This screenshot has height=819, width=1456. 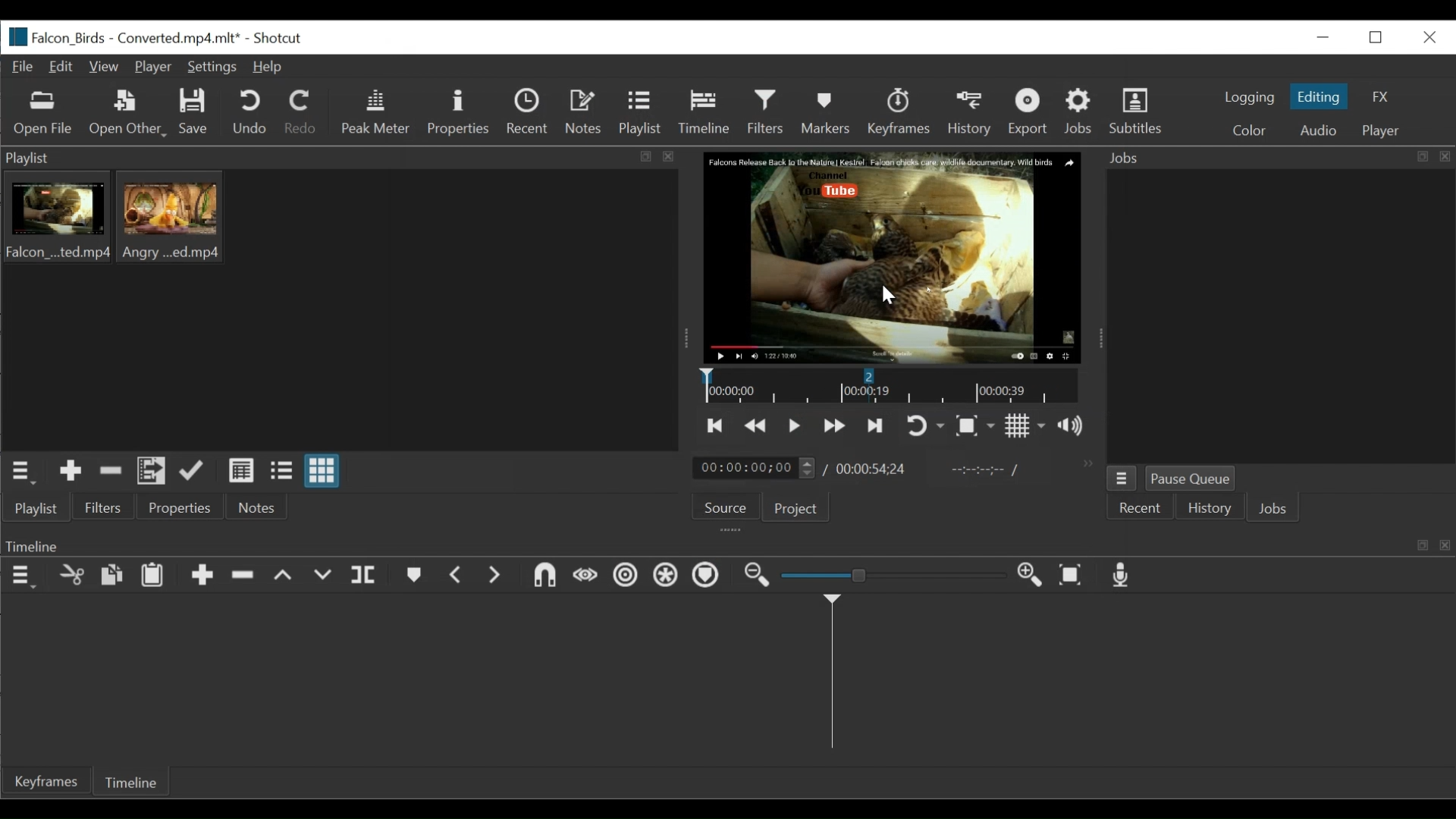 I want to click on Ripple, so click(x=625, y=578).